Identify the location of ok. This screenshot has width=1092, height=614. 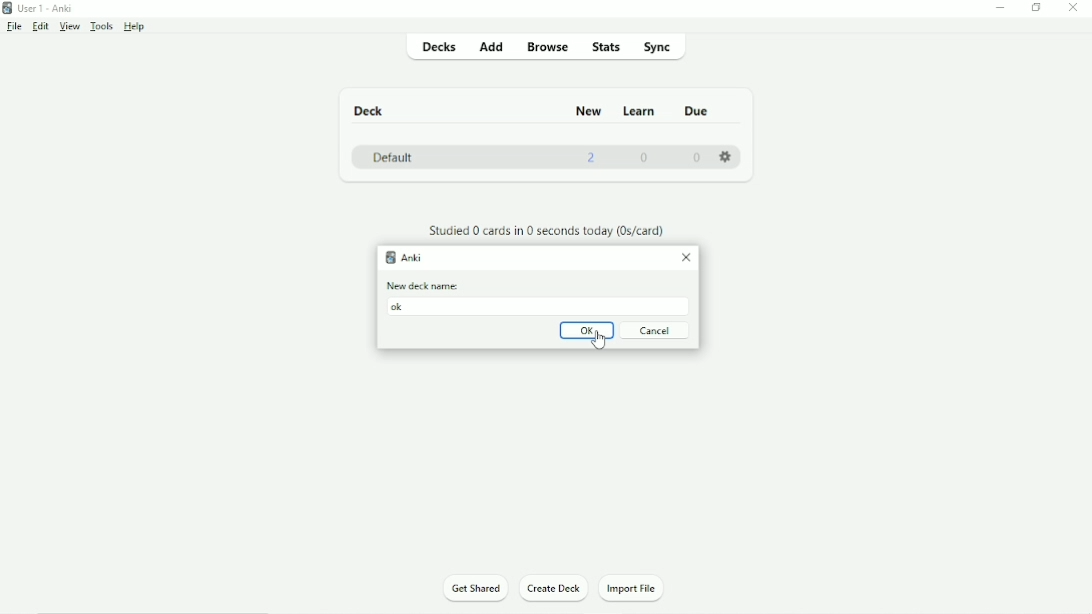
(400, 307).